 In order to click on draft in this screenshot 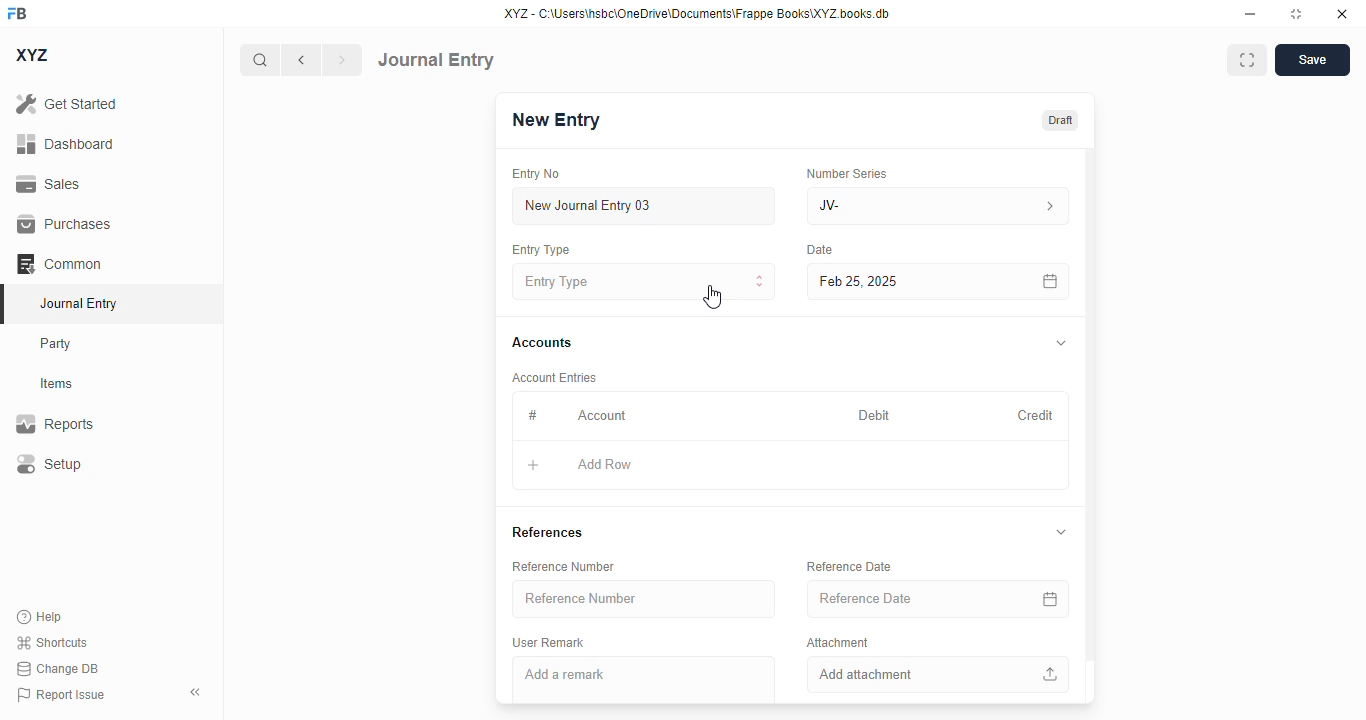, I will do `click(1061, 121)`.